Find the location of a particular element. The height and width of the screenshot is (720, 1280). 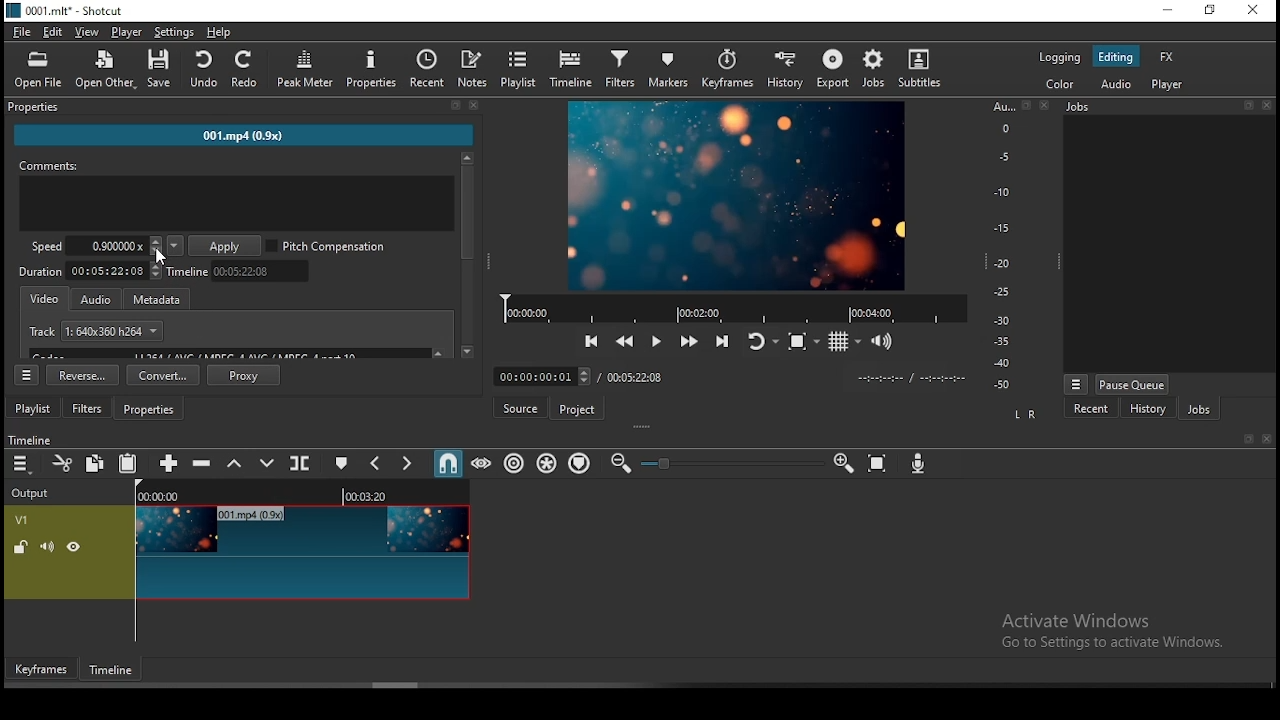

properties is located at coordinates (372, 69).